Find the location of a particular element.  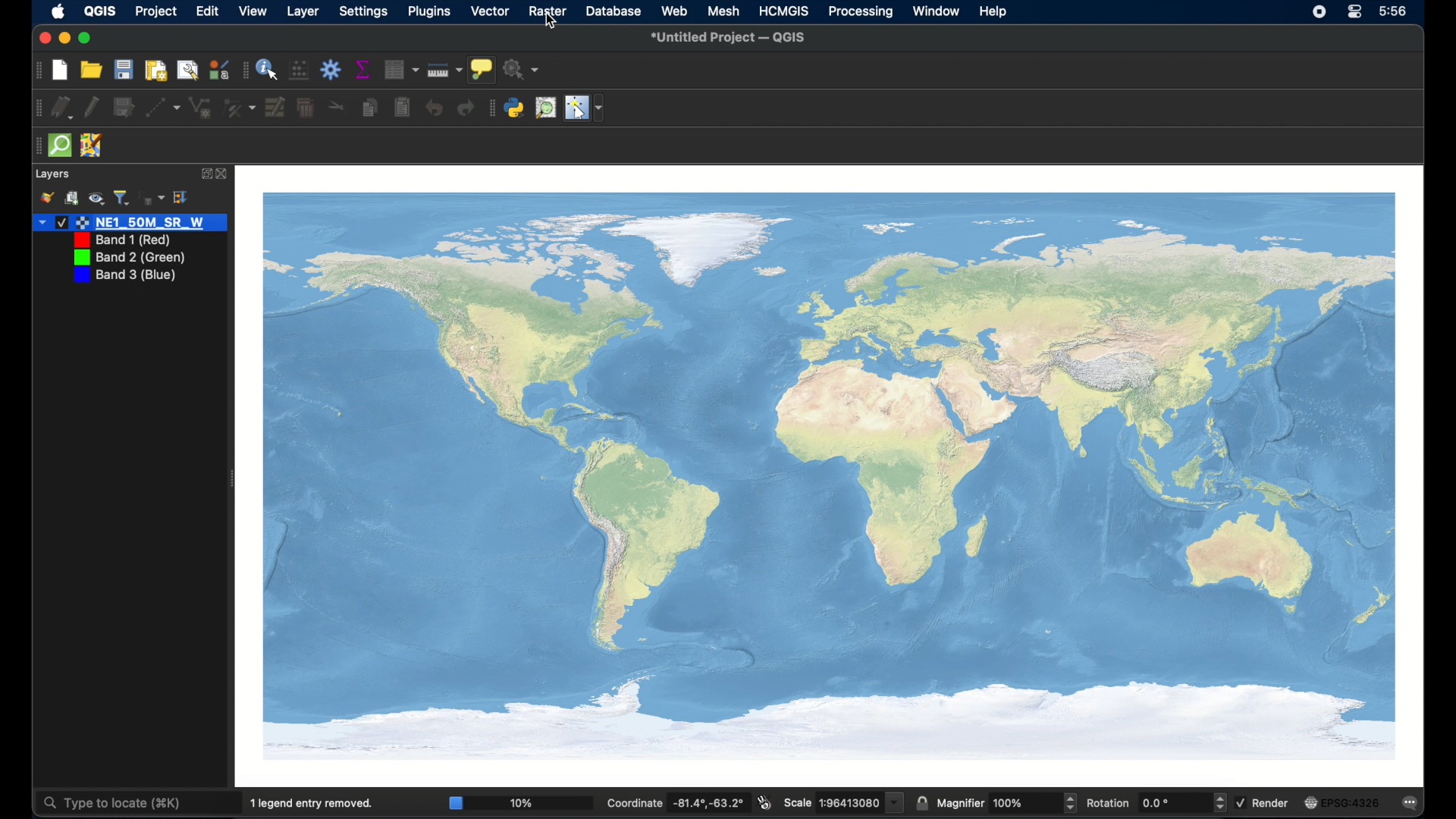

quick osm is located at coordinates (59, 146).